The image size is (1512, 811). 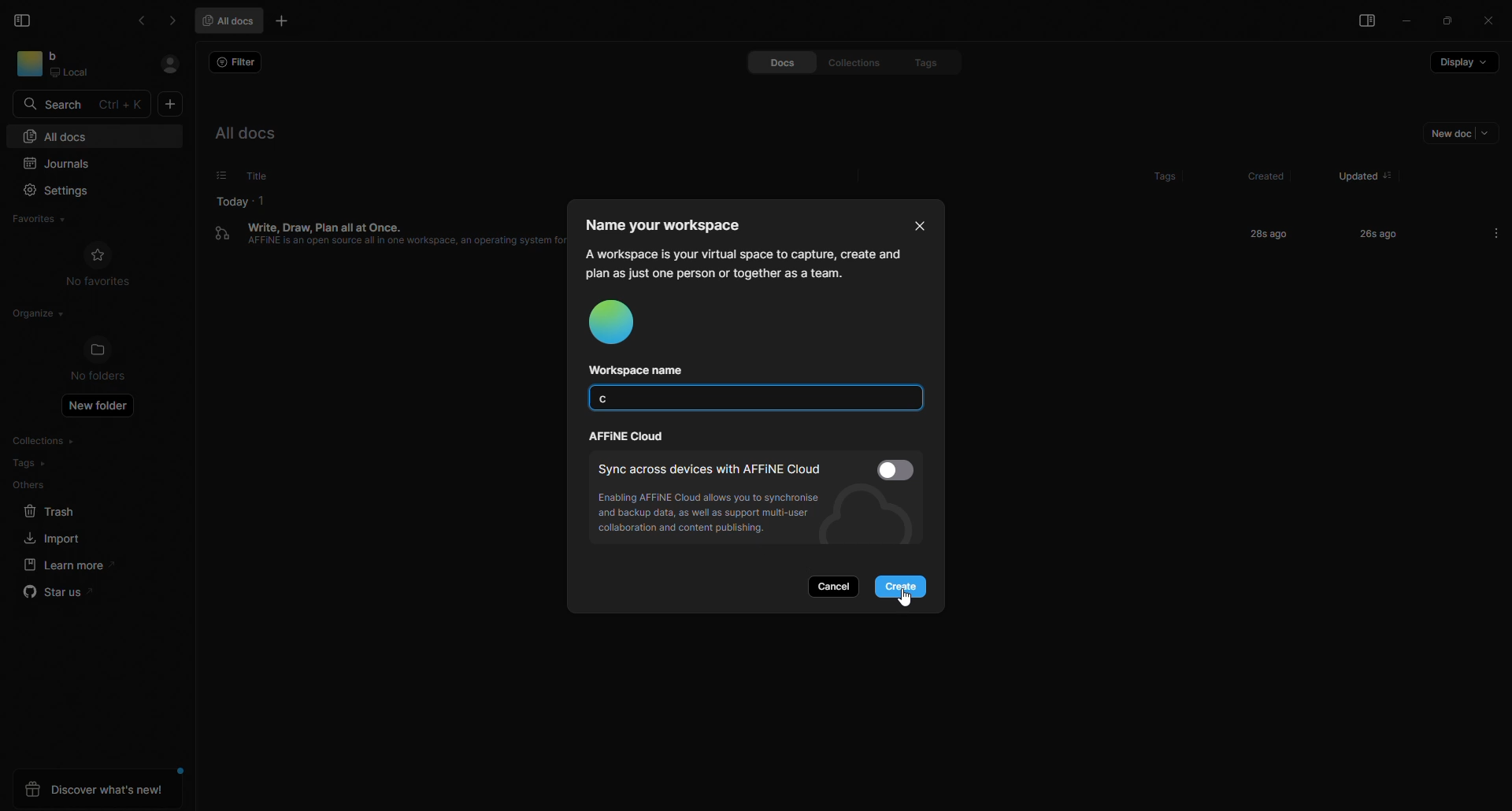 I want to click on cursor, so click(x=908, y=598).